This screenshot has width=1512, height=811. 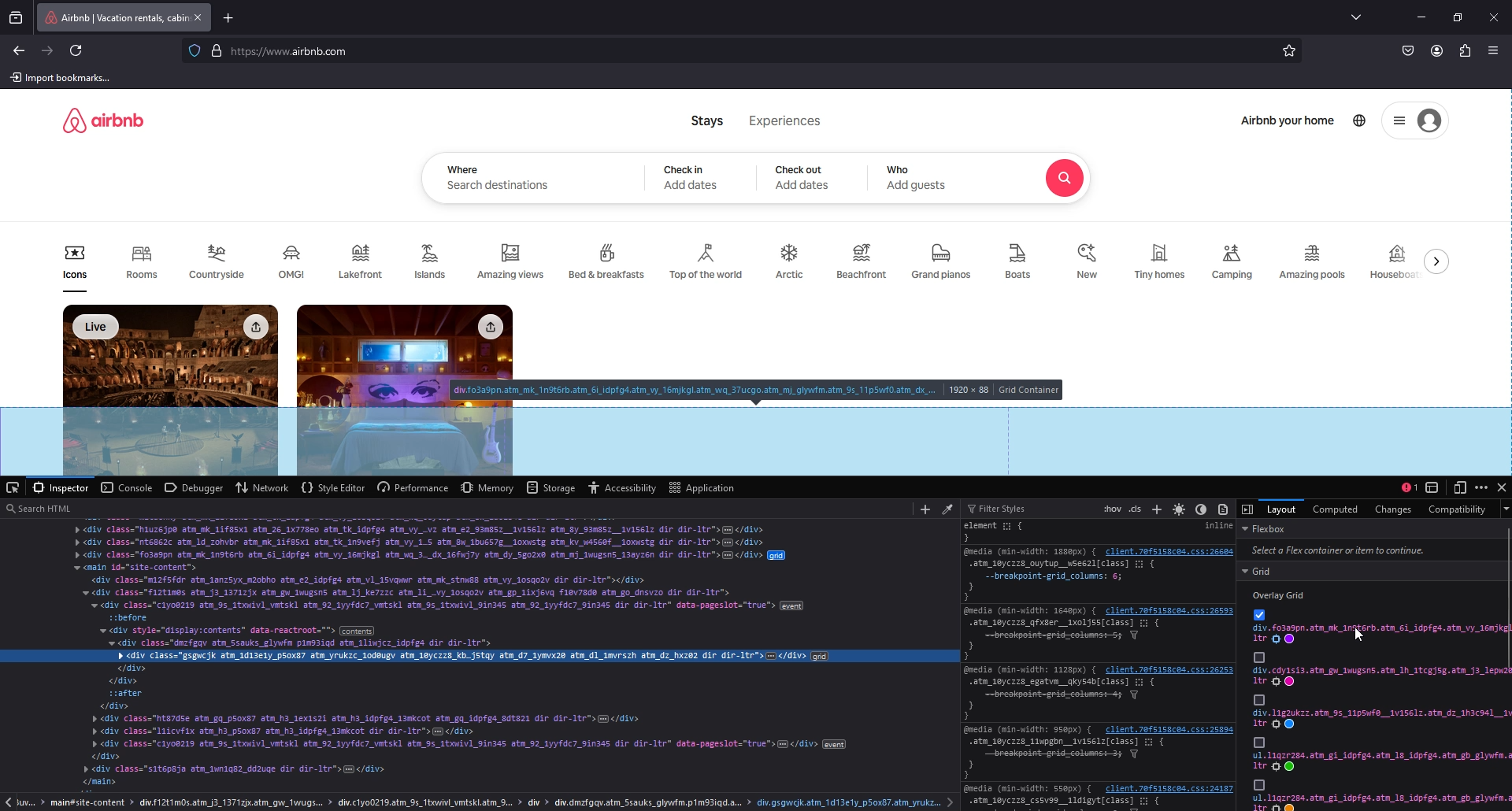 I want to click on world, so click(x=1361, y=120).